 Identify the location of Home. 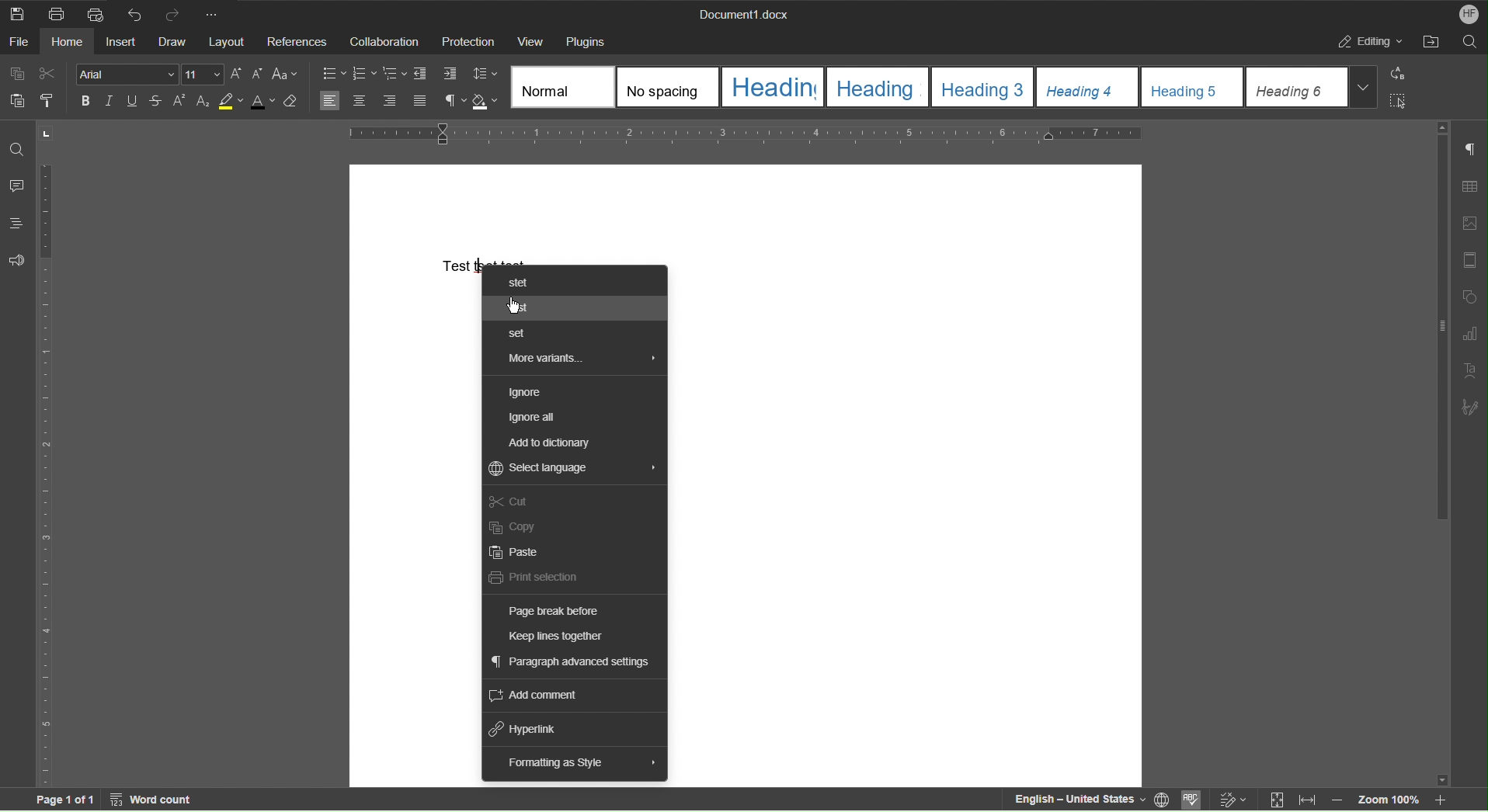
(71, 41).